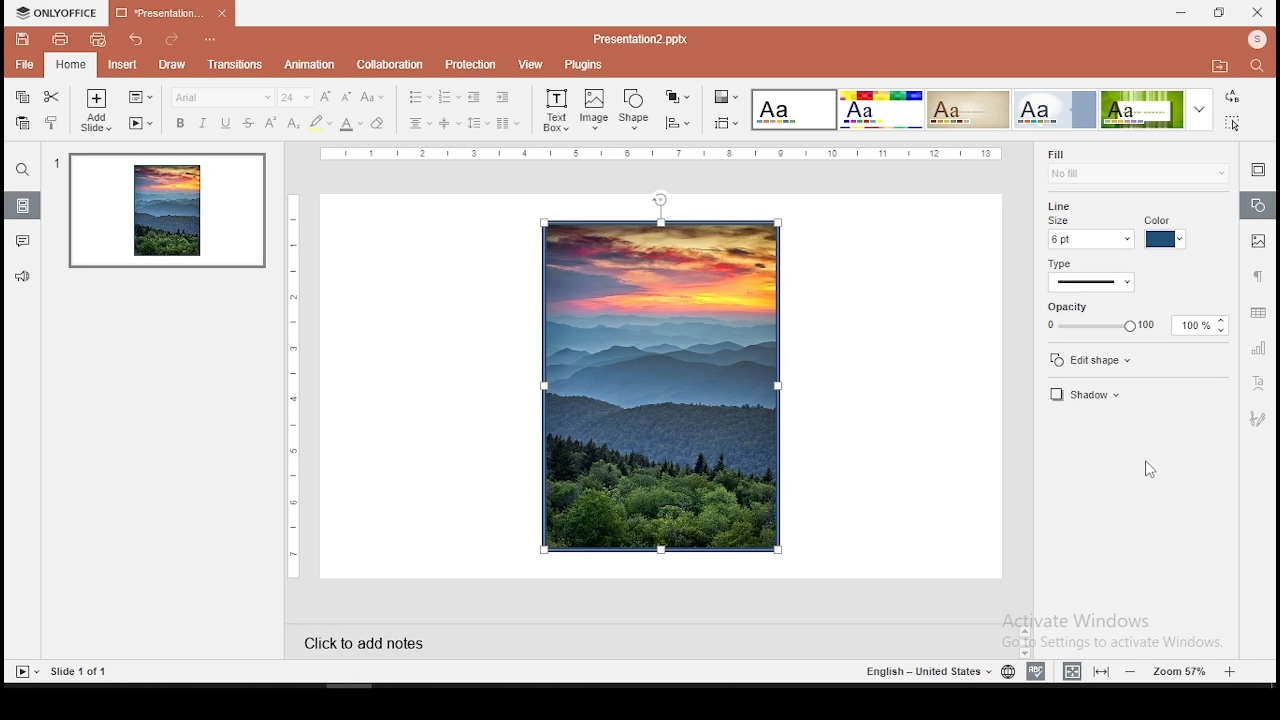 This screenshot has height=720, width=1280. What do you see at coordinates (225, 123) in the screenshot?
I see `underline` at bounding box center [225, 123].